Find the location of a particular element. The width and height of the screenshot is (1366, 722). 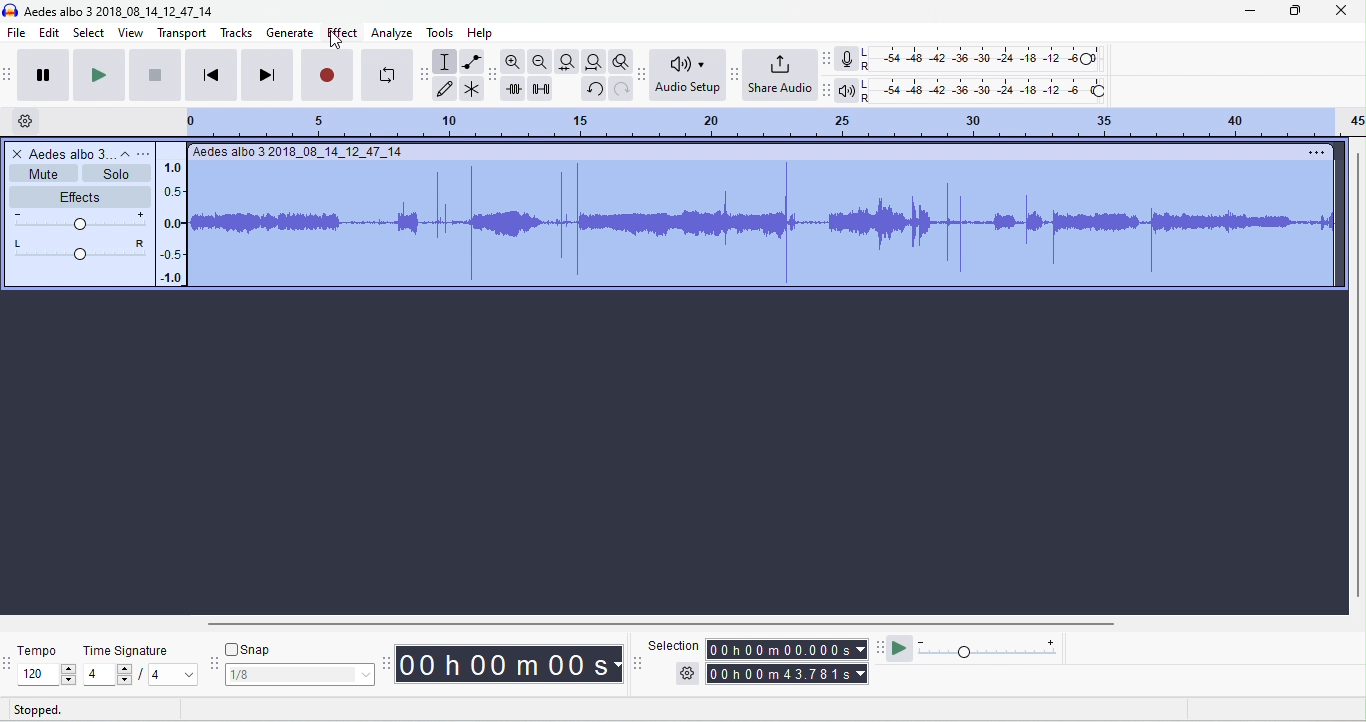

undo is located at coordinates (596, 89).